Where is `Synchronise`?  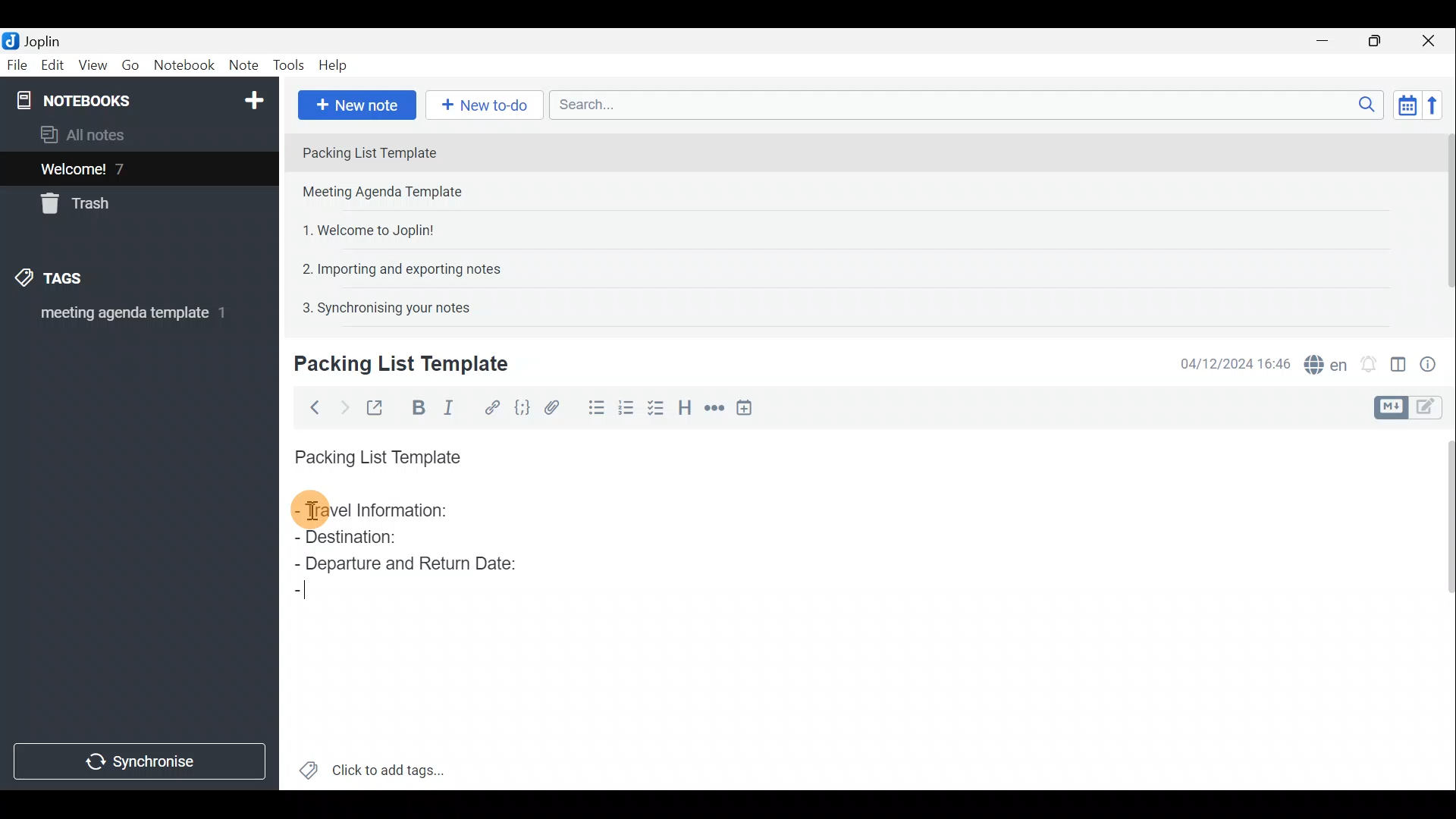 Synchronise is located at coordinates (142, 764).